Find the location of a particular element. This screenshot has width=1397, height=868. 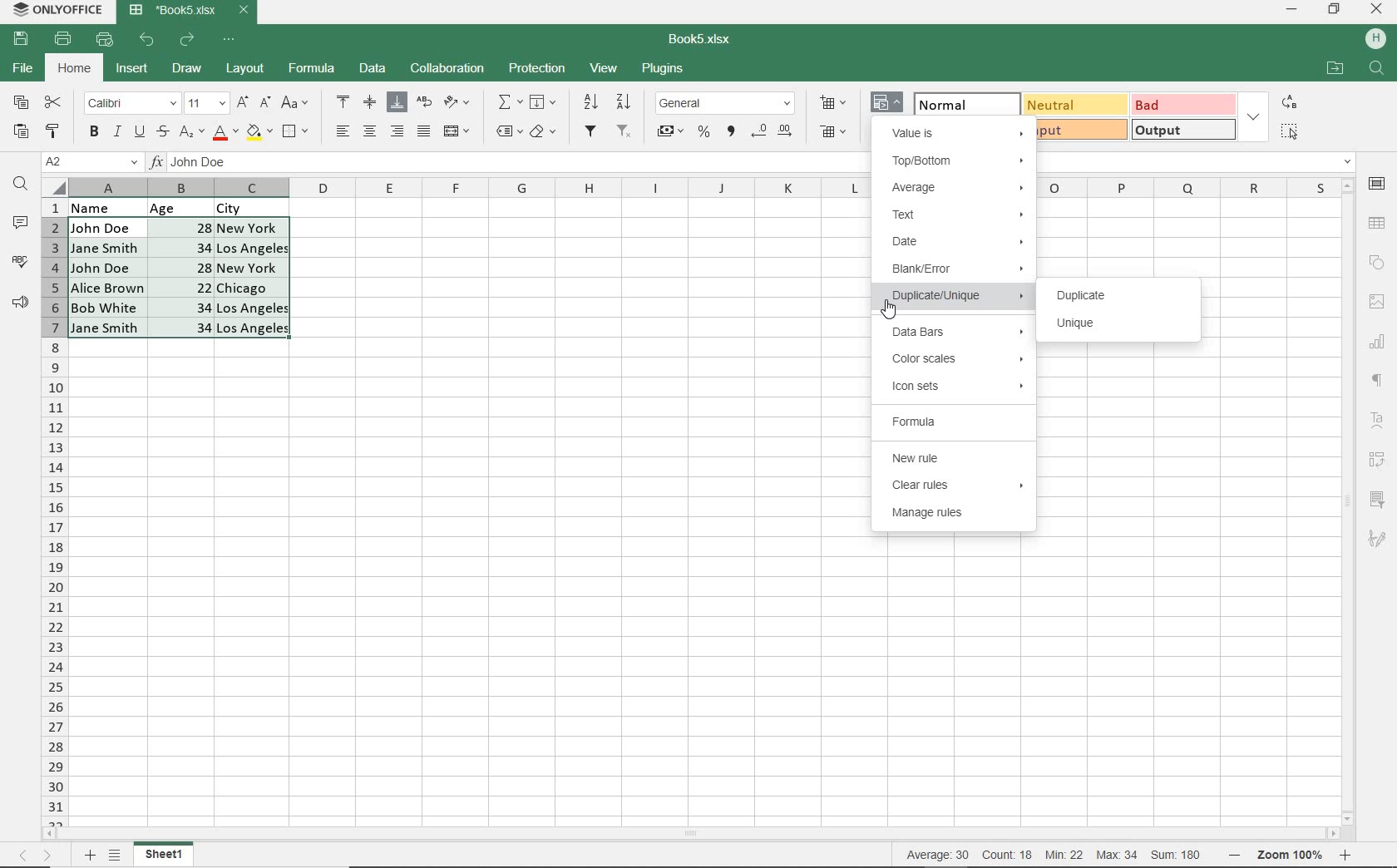

VALUE IS is located at coordinates (957, 131).